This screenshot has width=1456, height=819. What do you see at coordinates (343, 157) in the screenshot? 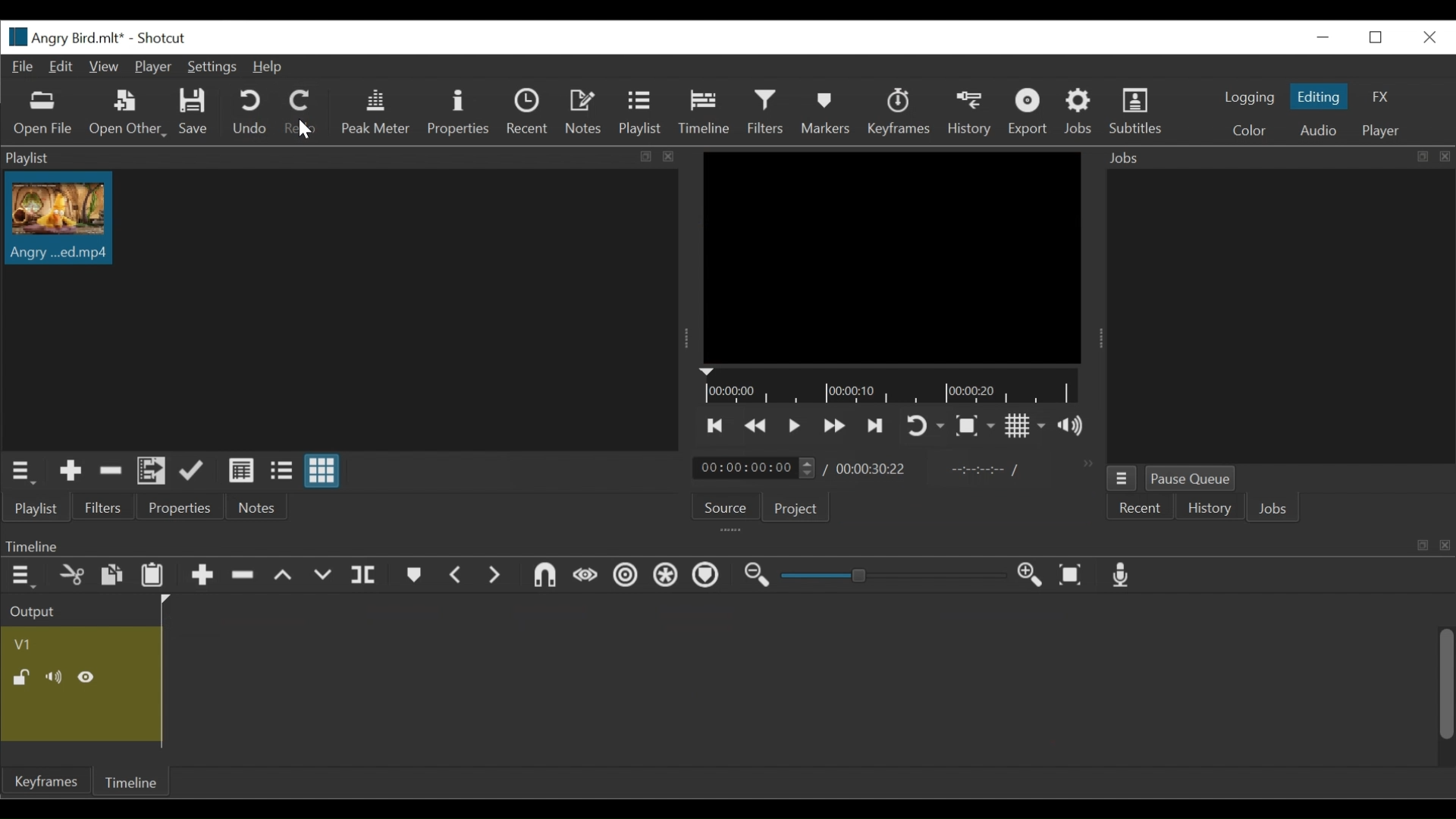
I see `Playlist Panel` at bounding box center [343, 157].